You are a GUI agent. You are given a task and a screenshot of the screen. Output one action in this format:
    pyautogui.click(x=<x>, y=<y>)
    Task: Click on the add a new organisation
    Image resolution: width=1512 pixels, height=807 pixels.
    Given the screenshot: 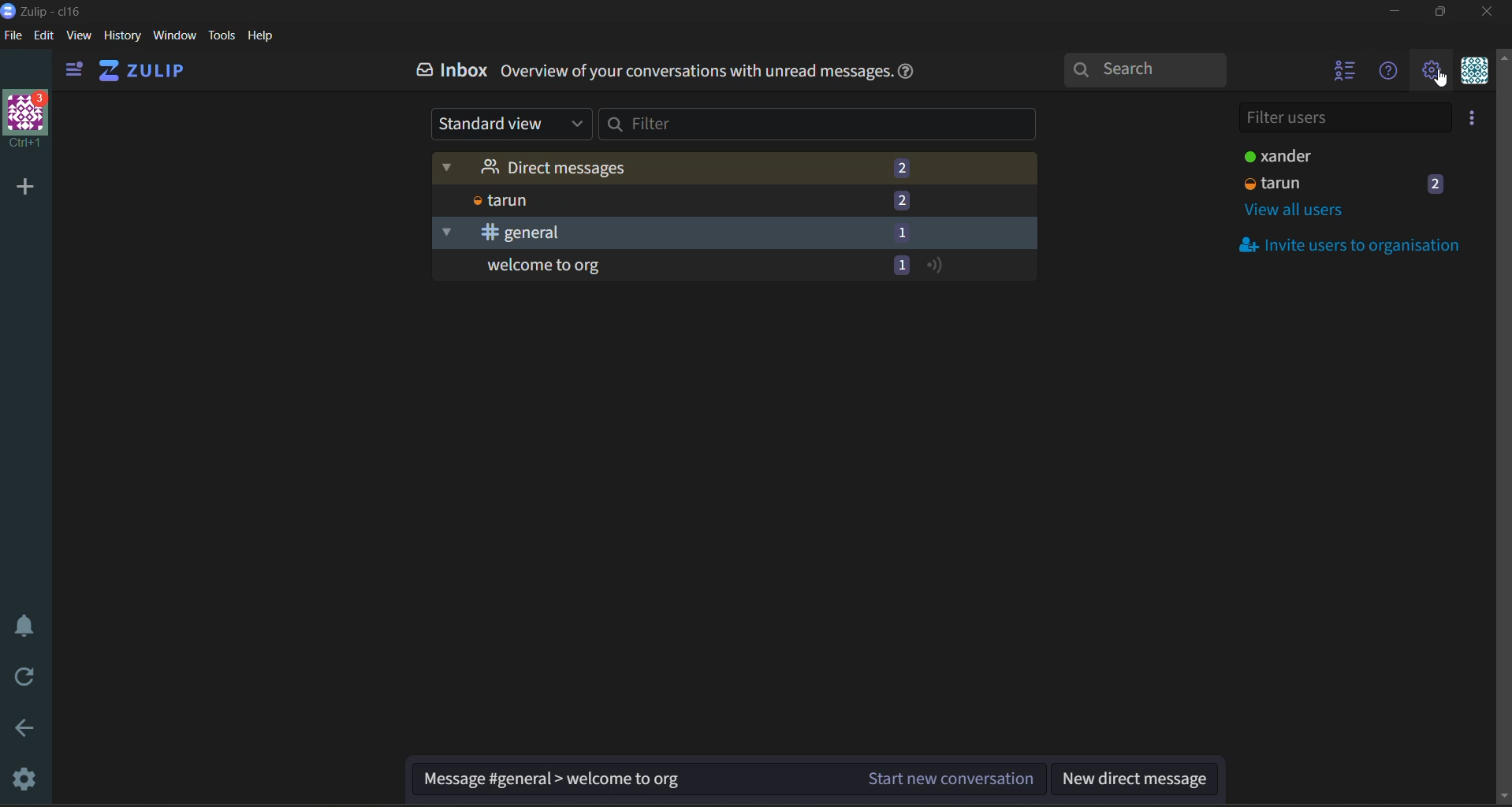 What is the action you would take?
    pyautogui.click(x=26, y=185)
    